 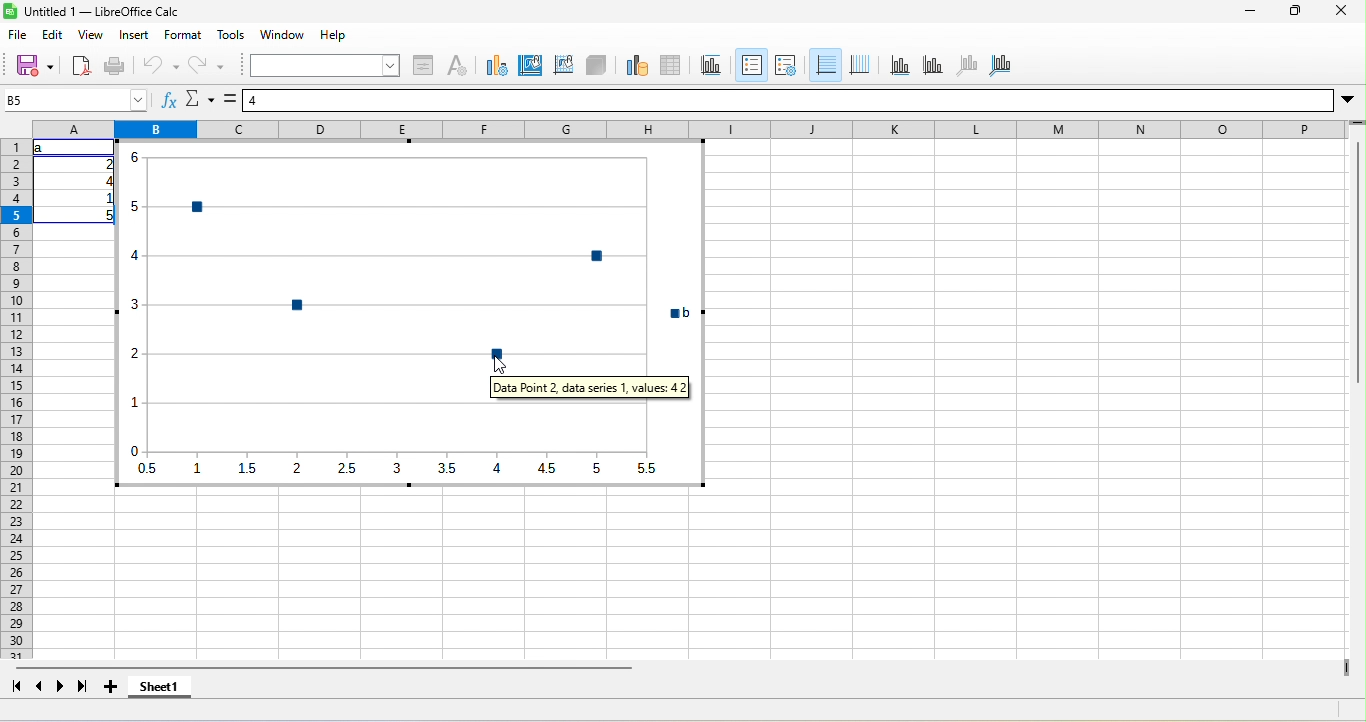 What do you see at coordinates (457, 67) in the screenshot?
I see `character` at bounding box center [457, 67].